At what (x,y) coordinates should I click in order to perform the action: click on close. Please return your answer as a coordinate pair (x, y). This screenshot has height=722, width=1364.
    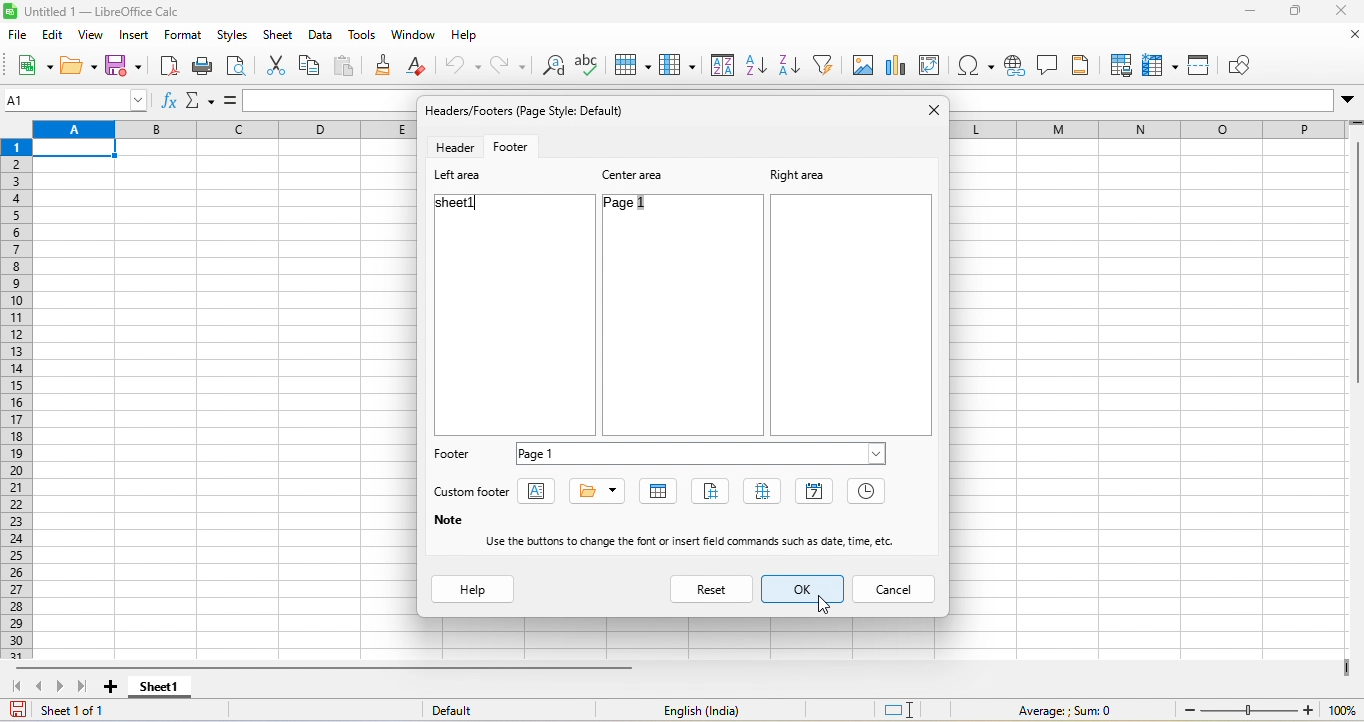
    Looking at the image, I should click on (932, 110).